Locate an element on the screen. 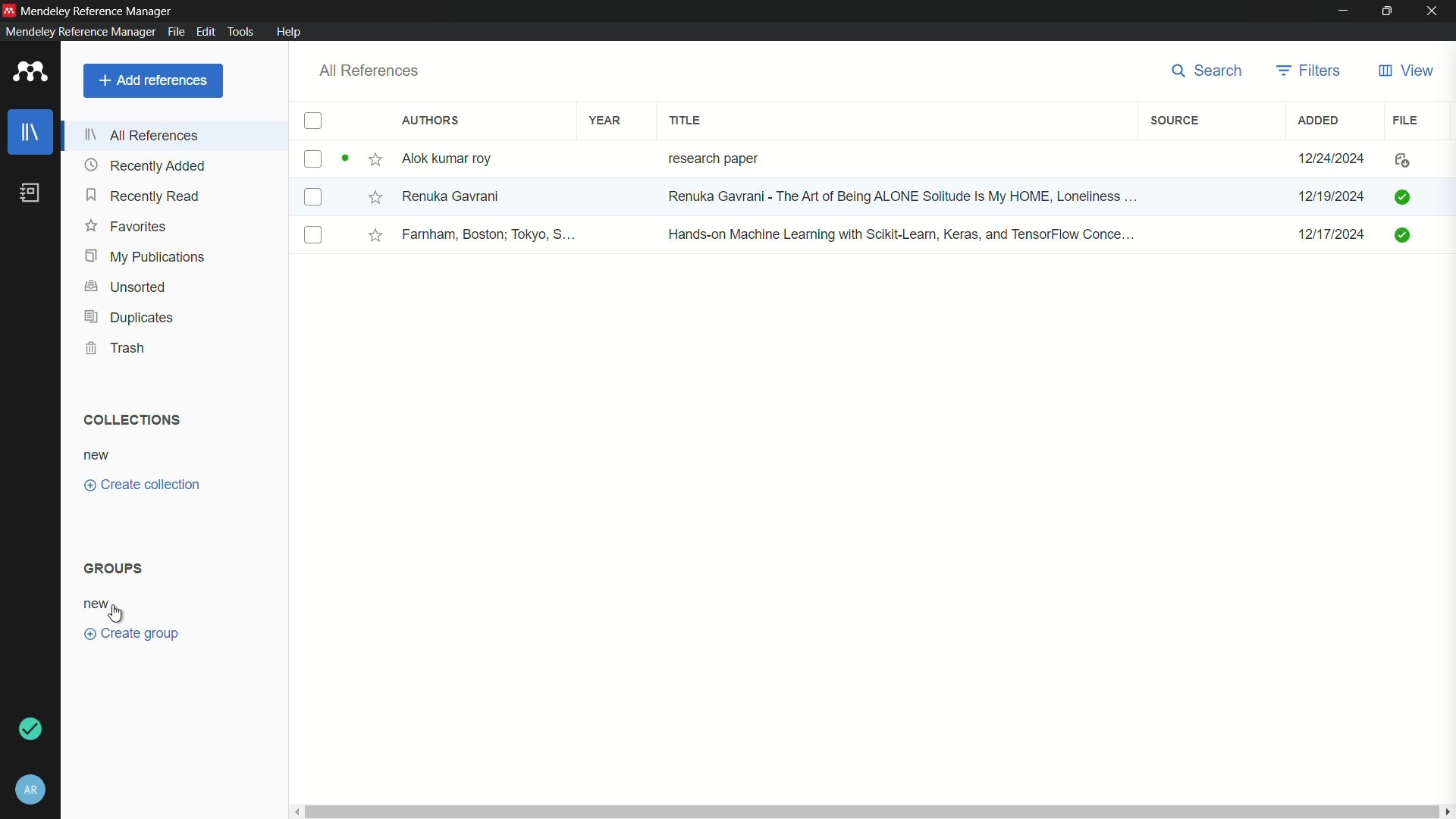 Image resolution: width=1456 pixels, height=819 pixels. book is located at coordinates (30, 193).